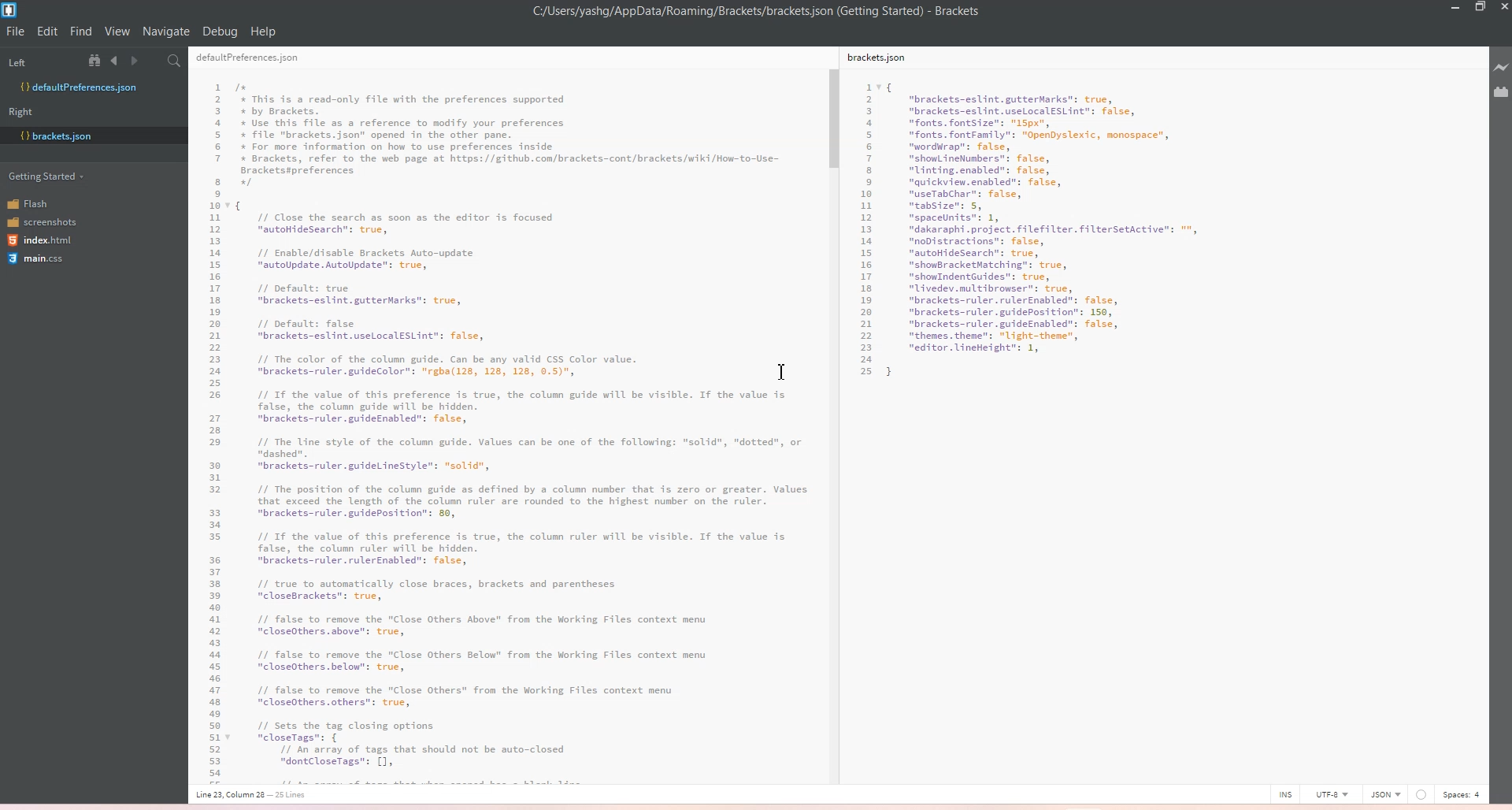  I want to click on Horizontal scroll bar, so click(499, 780).